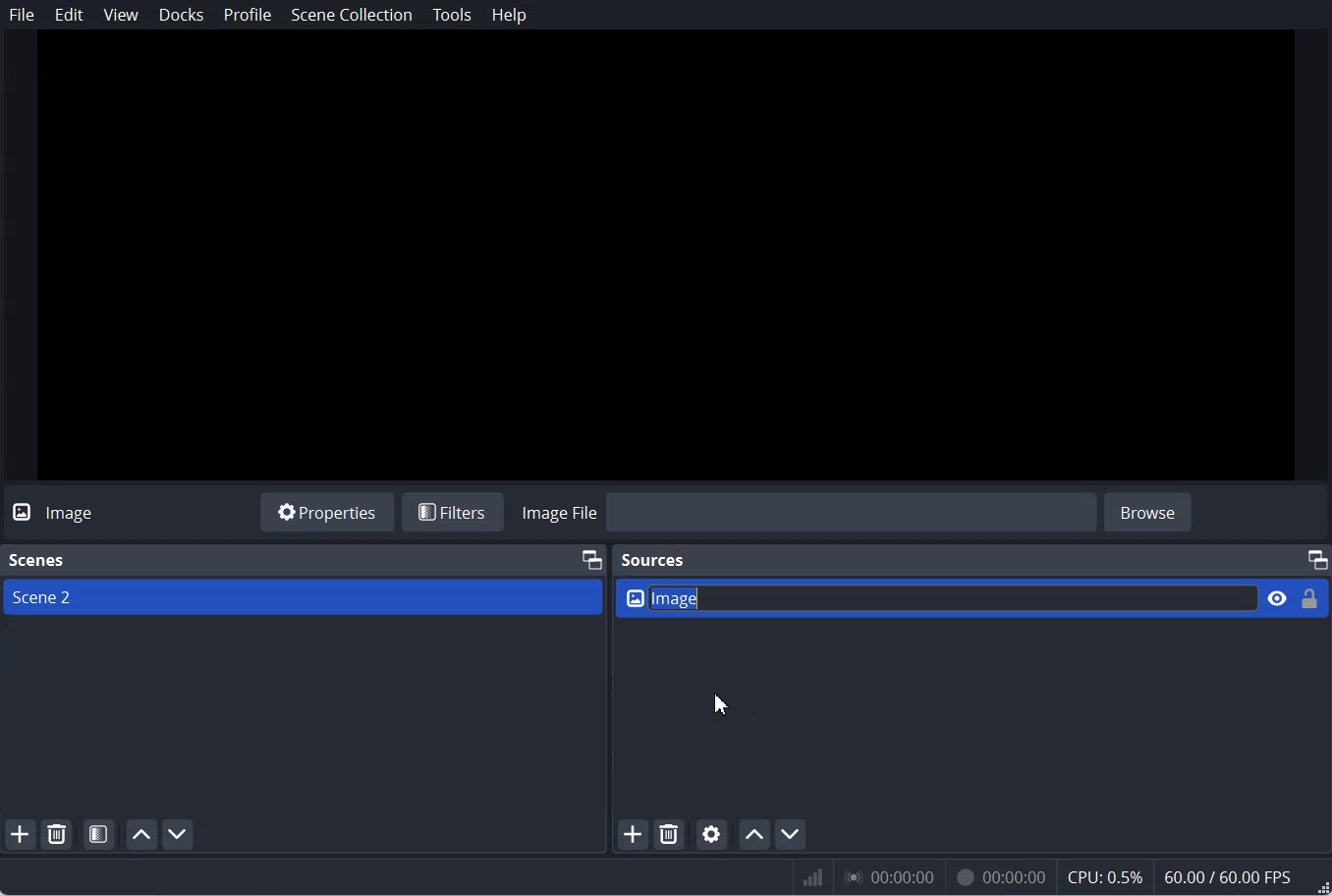  What do you see at coordinates (721, 702) in the screenshot?
I see `Cursor` at bounding box center [721, 702].